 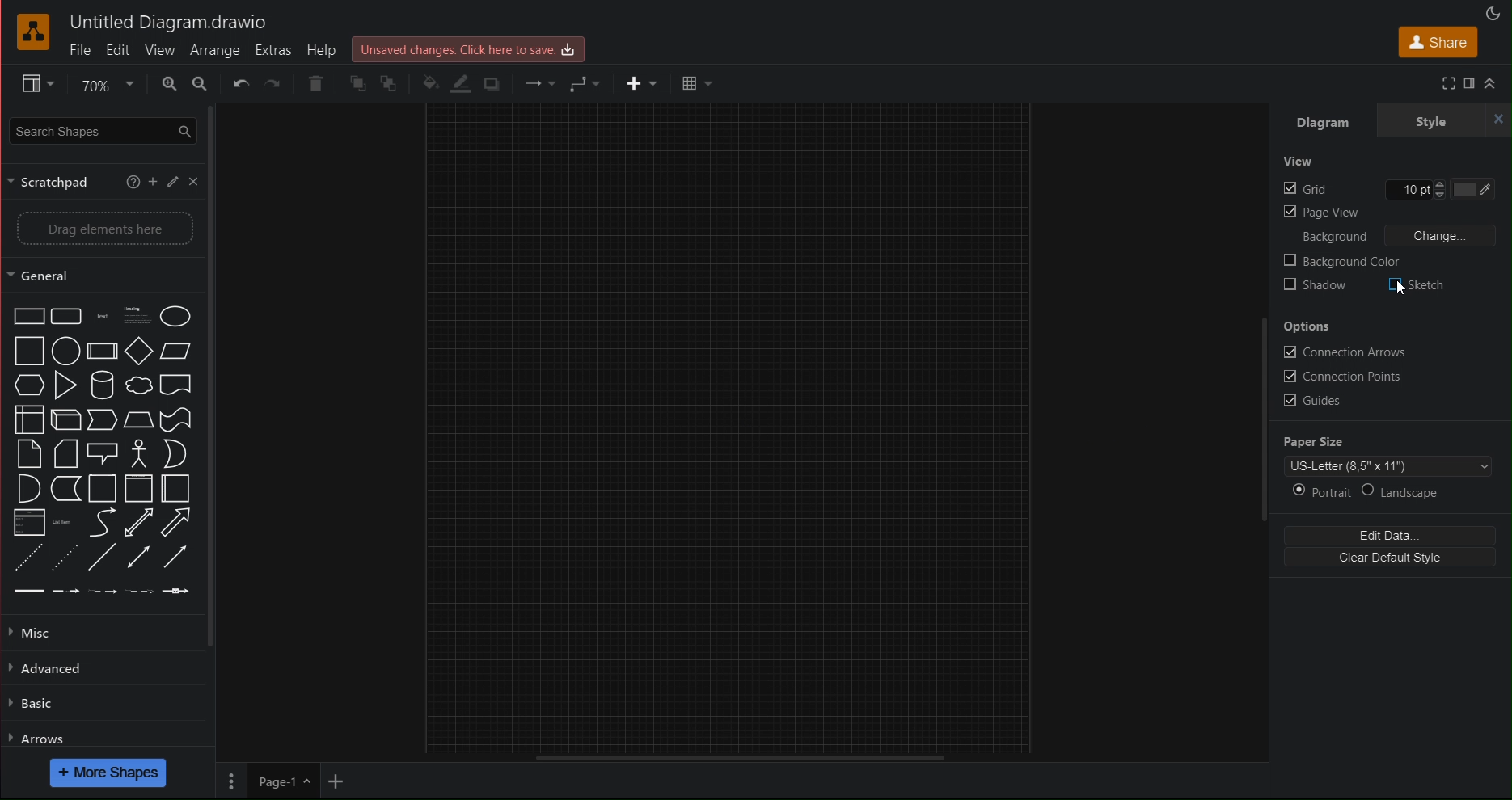 What do you see at coordinates (100, 594) in the screenshot?
I see `connector with 2 label` at bounding box center [100, 594].